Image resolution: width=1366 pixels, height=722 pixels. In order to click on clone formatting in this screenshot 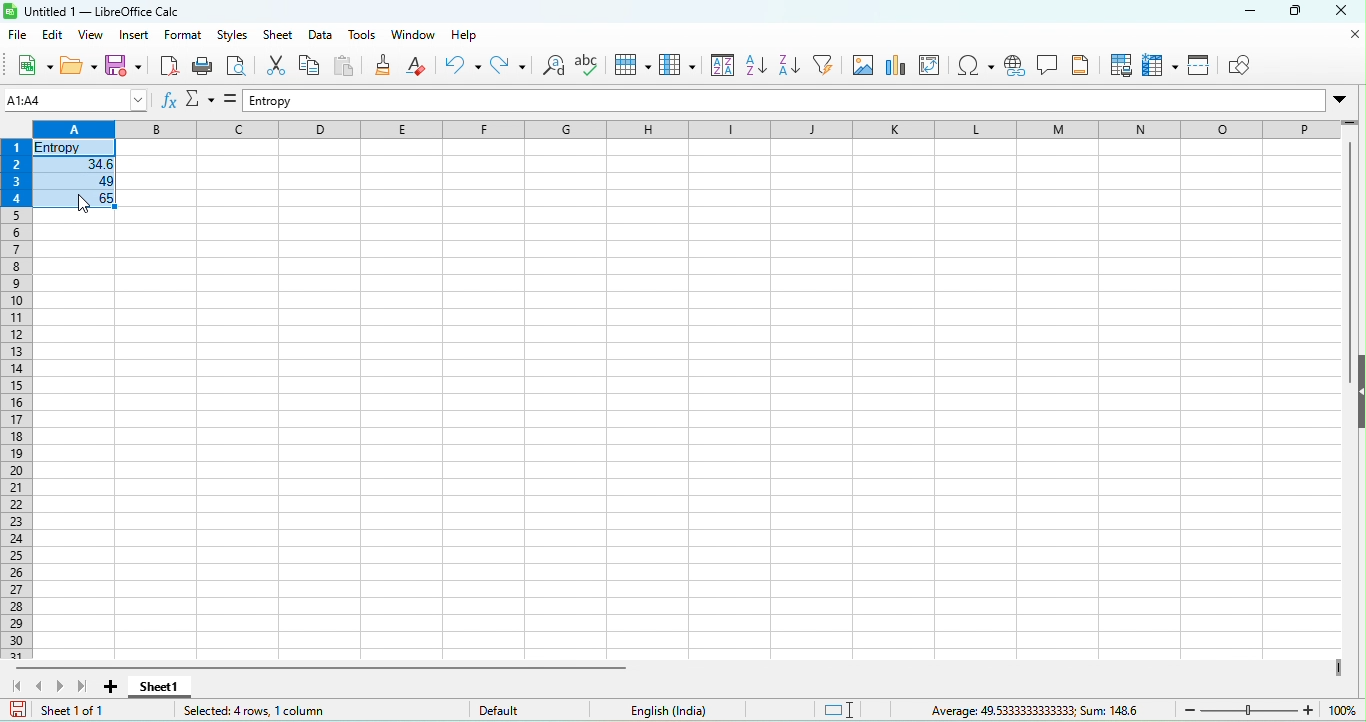, I will do `click(385, 66)`.